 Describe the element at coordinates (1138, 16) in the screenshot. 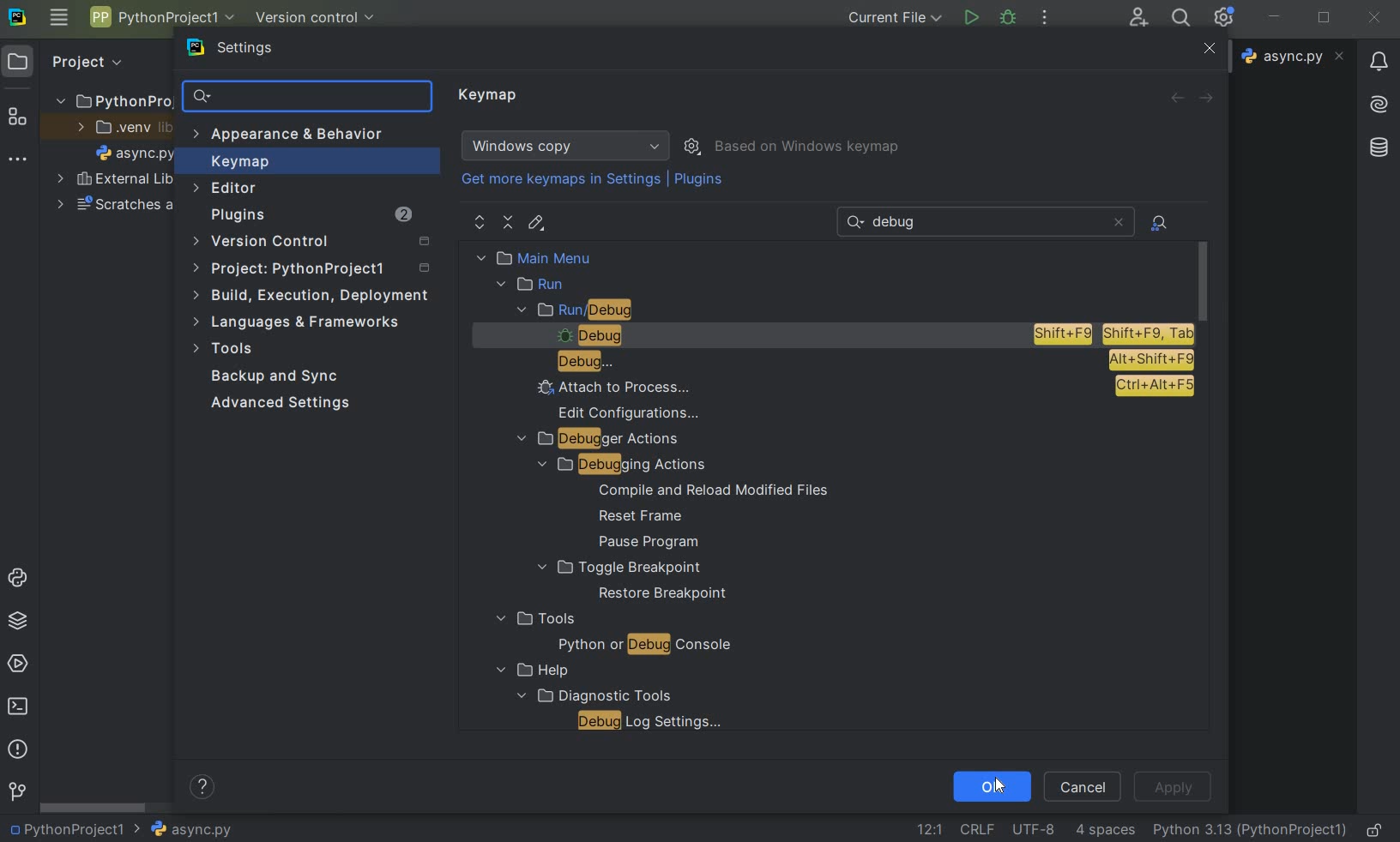

I see `code with me` at that location.